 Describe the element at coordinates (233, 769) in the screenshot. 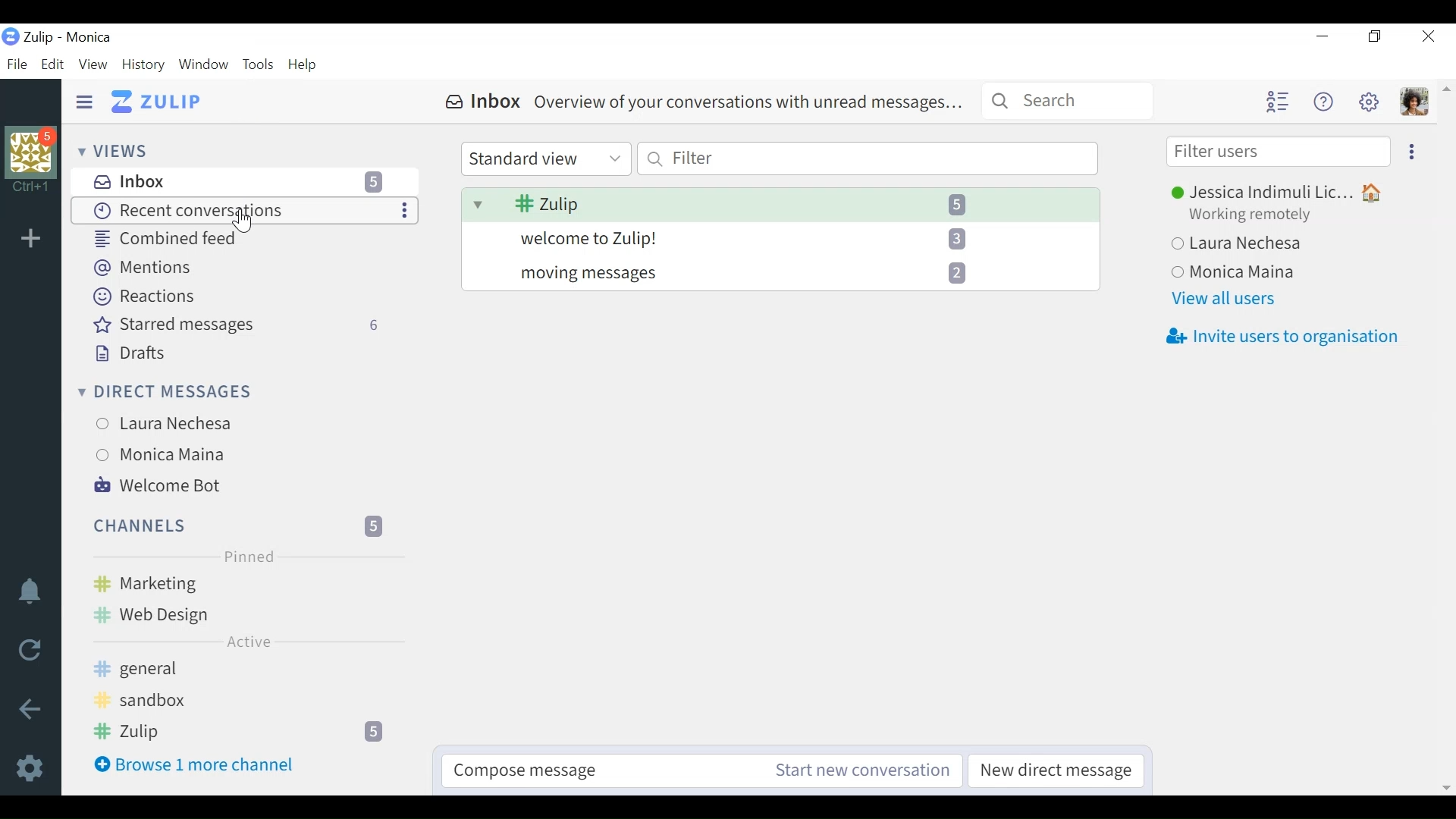

I see `Browse 1 more channel` at that location.